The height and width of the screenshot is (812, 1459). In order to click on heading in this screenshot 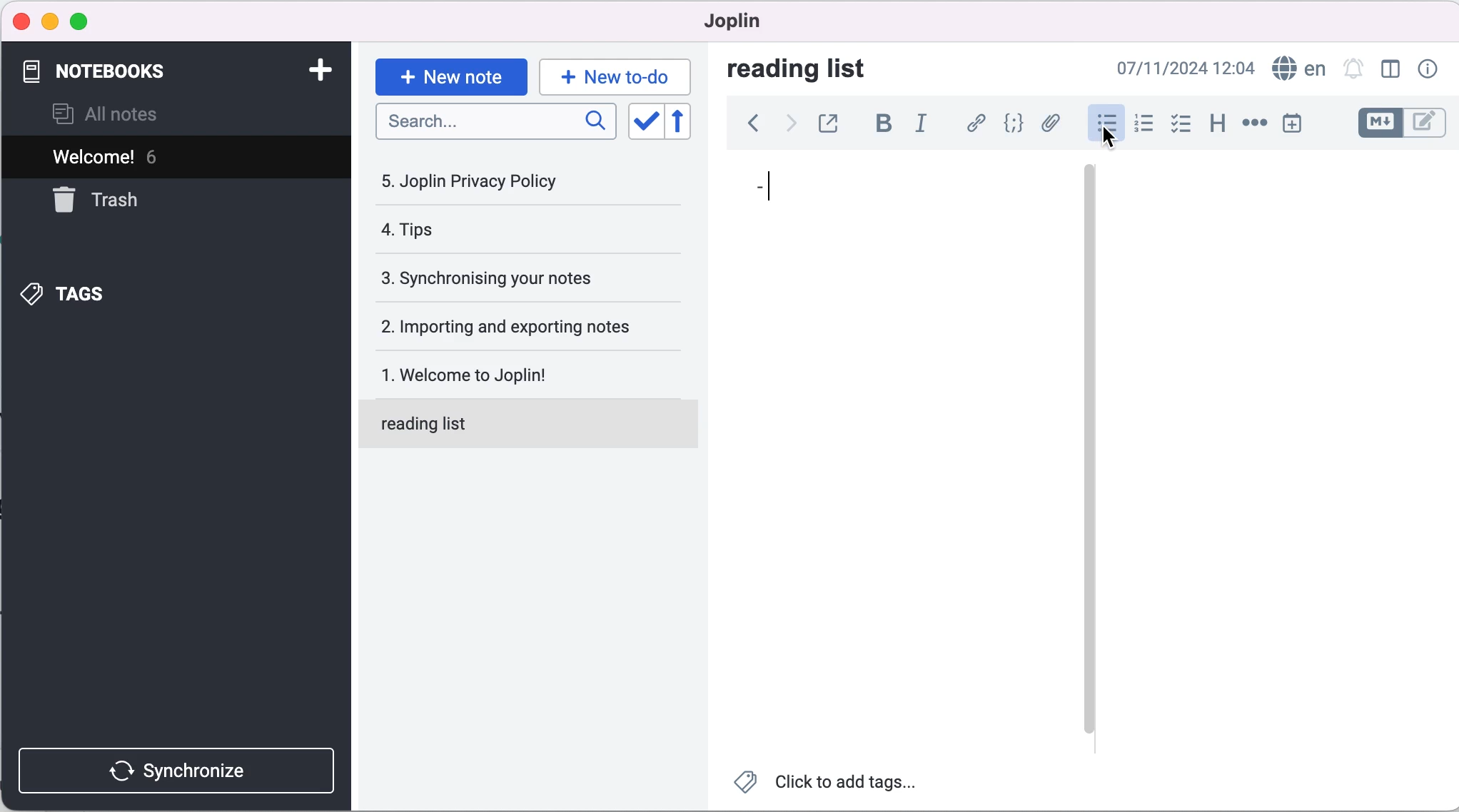, I will do `click(1218, 127)`.